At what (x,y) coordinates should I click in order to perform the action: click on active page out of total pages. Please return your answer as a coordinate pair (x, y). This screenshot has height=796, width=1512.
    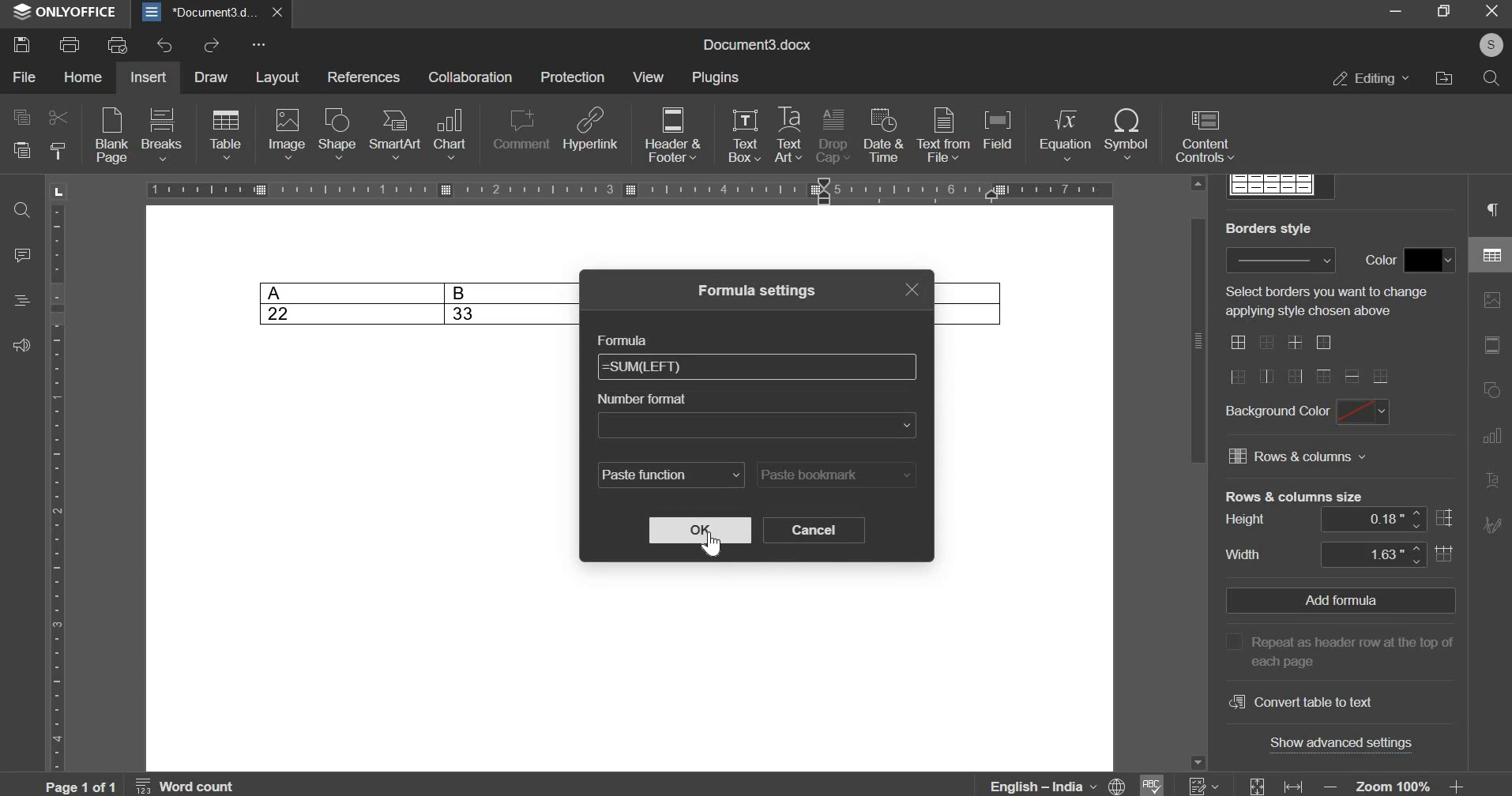
    Looking at the image, I should click on (78, 786).